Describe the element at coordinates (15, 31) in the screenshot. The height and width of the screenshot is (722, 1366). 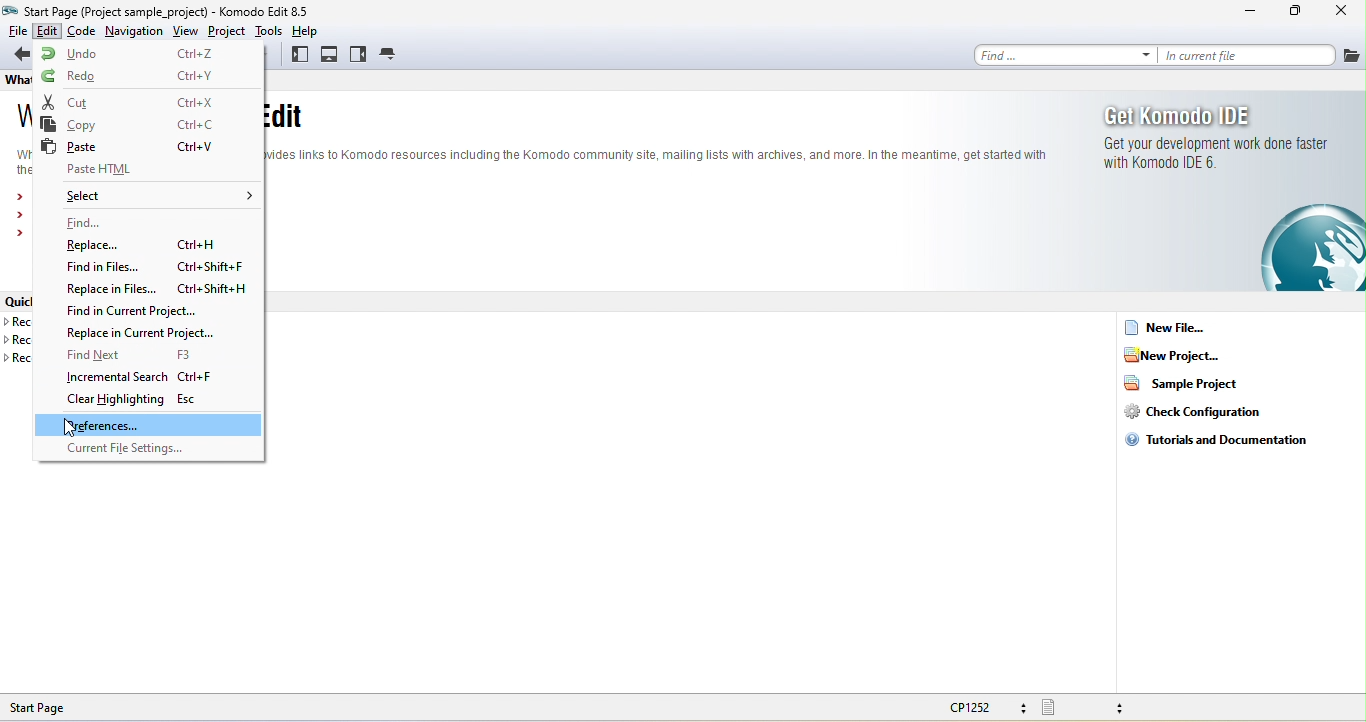
I see `file` at that location.